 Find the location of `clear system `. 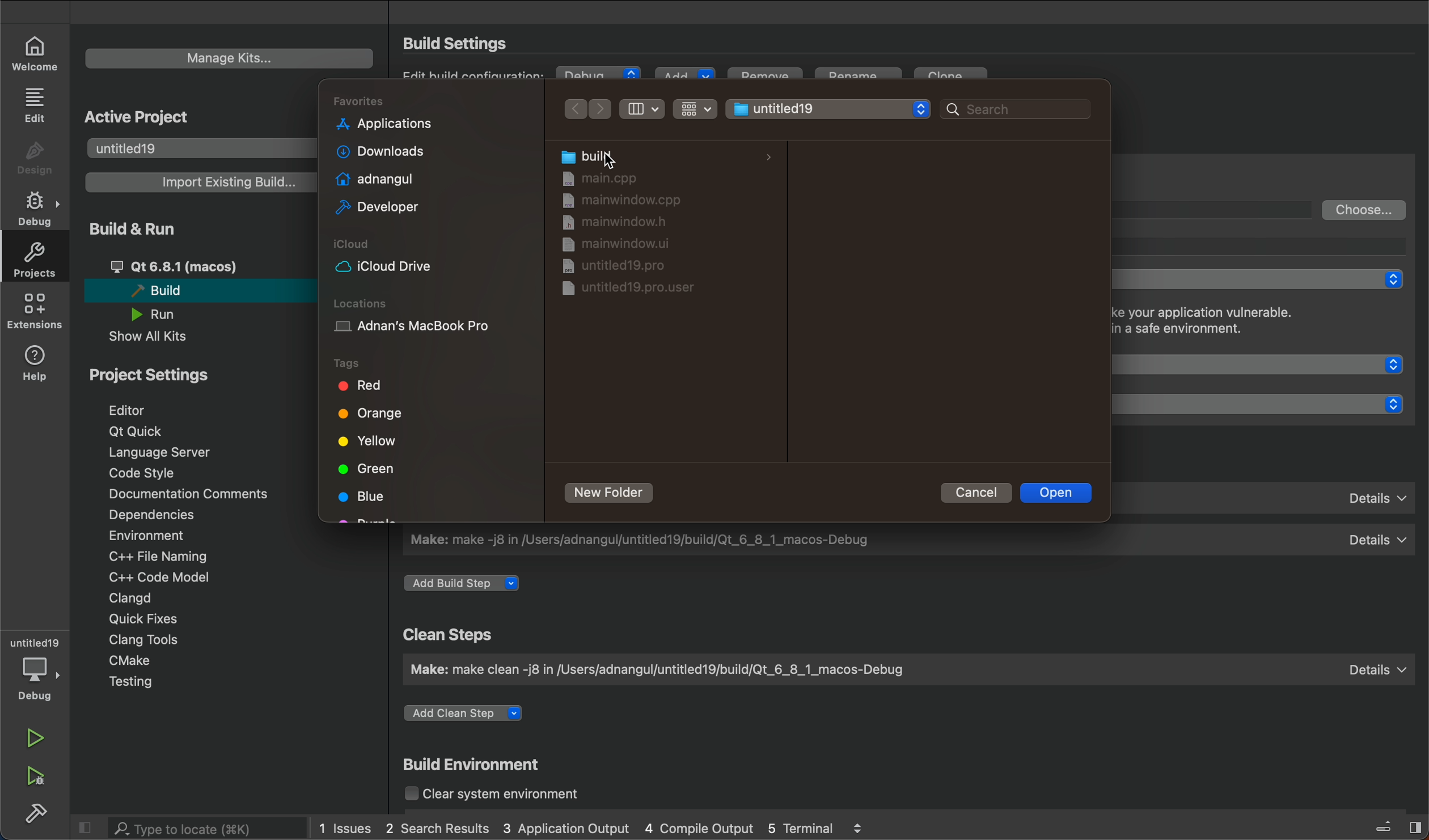

clear system  is located at coordinates (511, 795).